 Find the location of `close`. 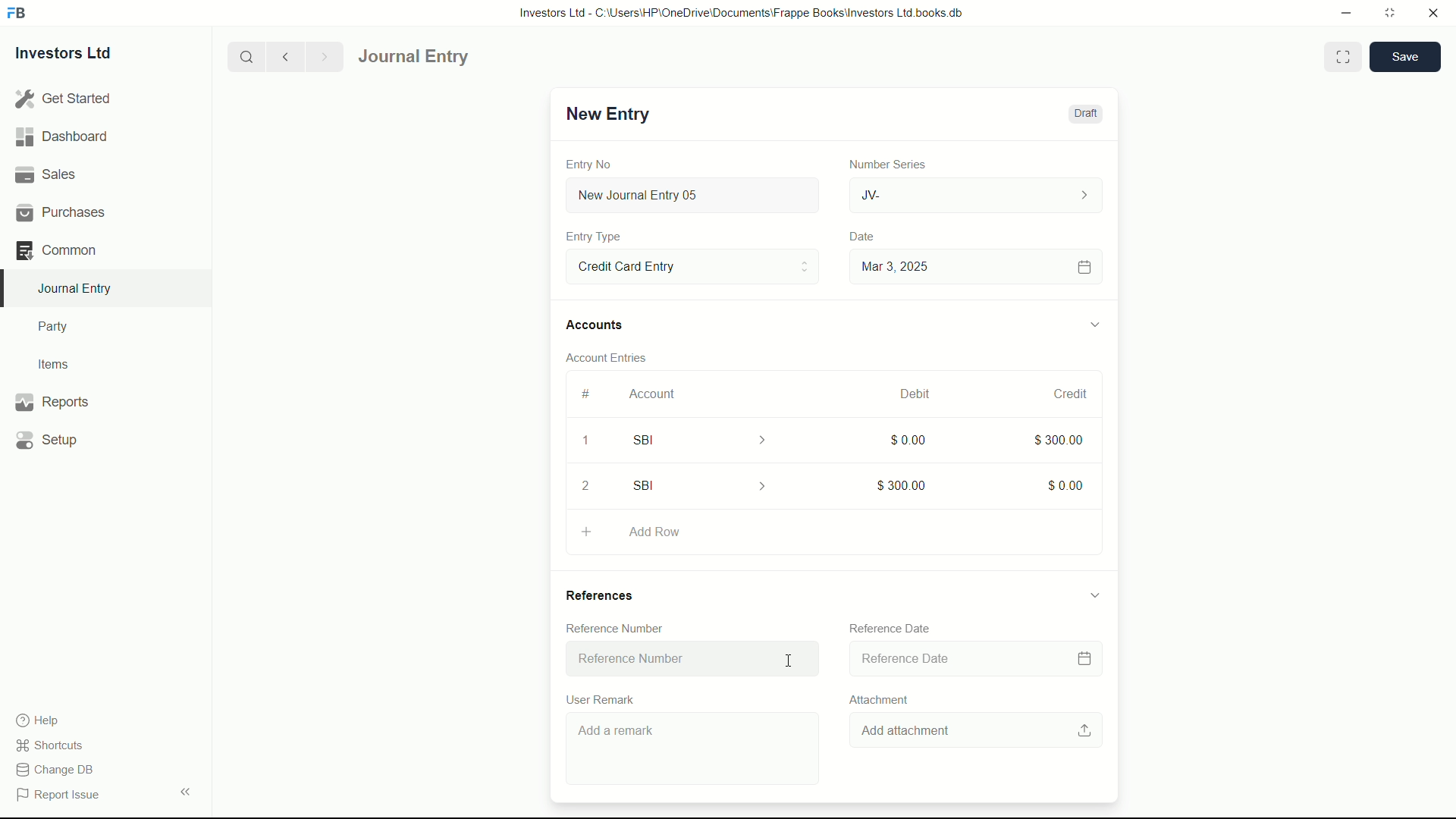

close is located at coordinates (1434, 14).